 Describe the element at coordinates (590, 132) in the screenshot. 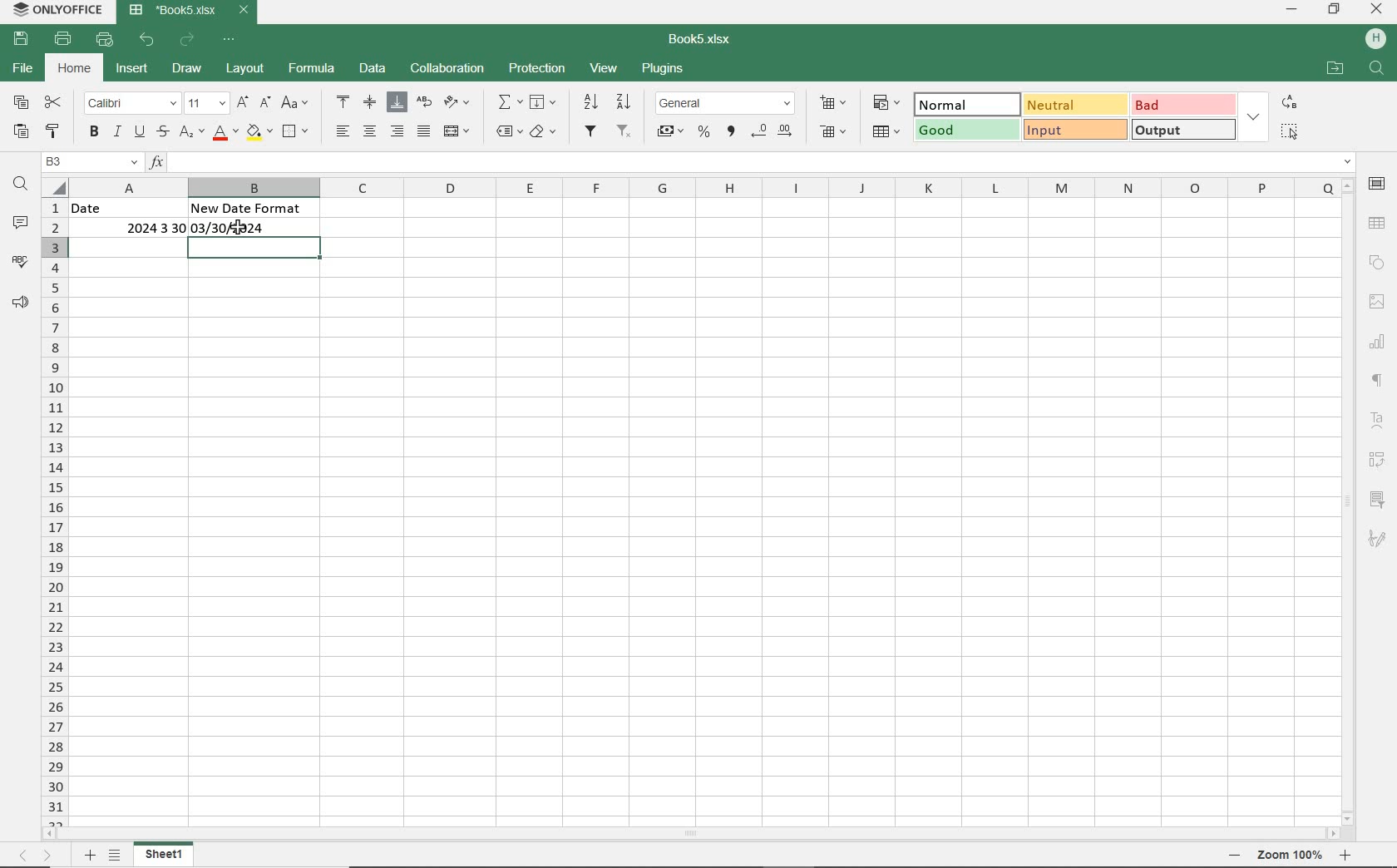

I see `FILTER` at that location.